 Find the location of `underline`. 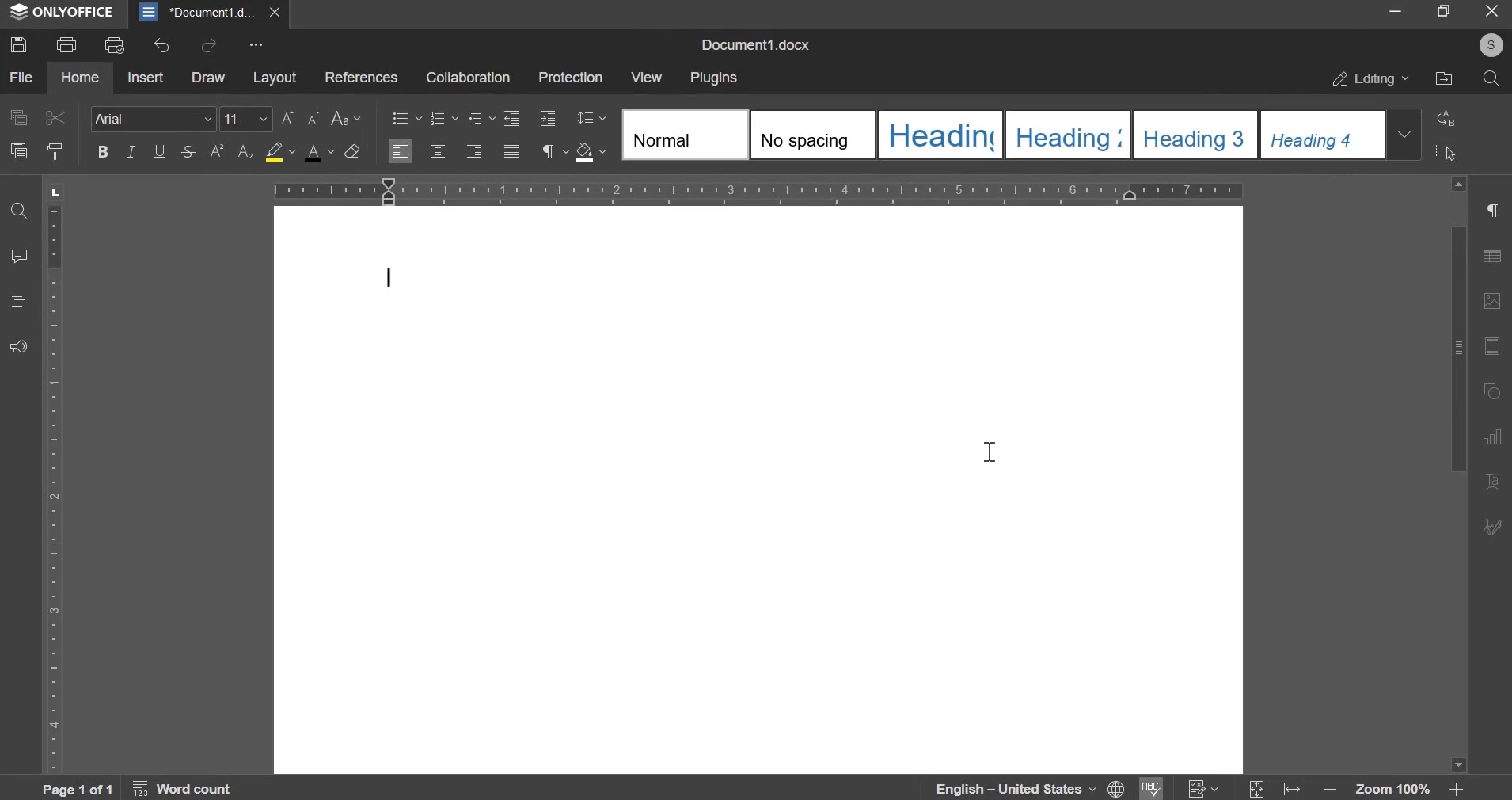

underline is located at coordinates (160, 152).